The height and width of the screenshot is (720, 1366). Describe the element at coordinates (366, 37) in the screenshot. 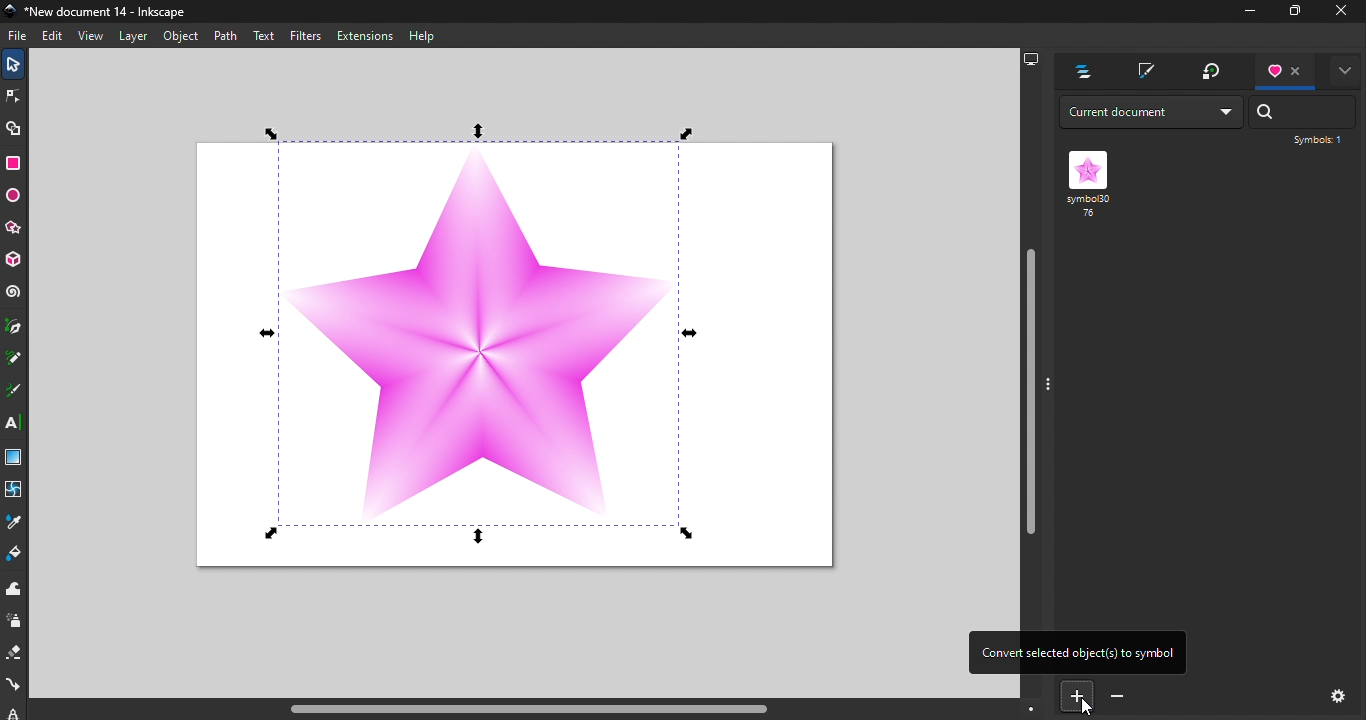

I see `Extensions` at that location.